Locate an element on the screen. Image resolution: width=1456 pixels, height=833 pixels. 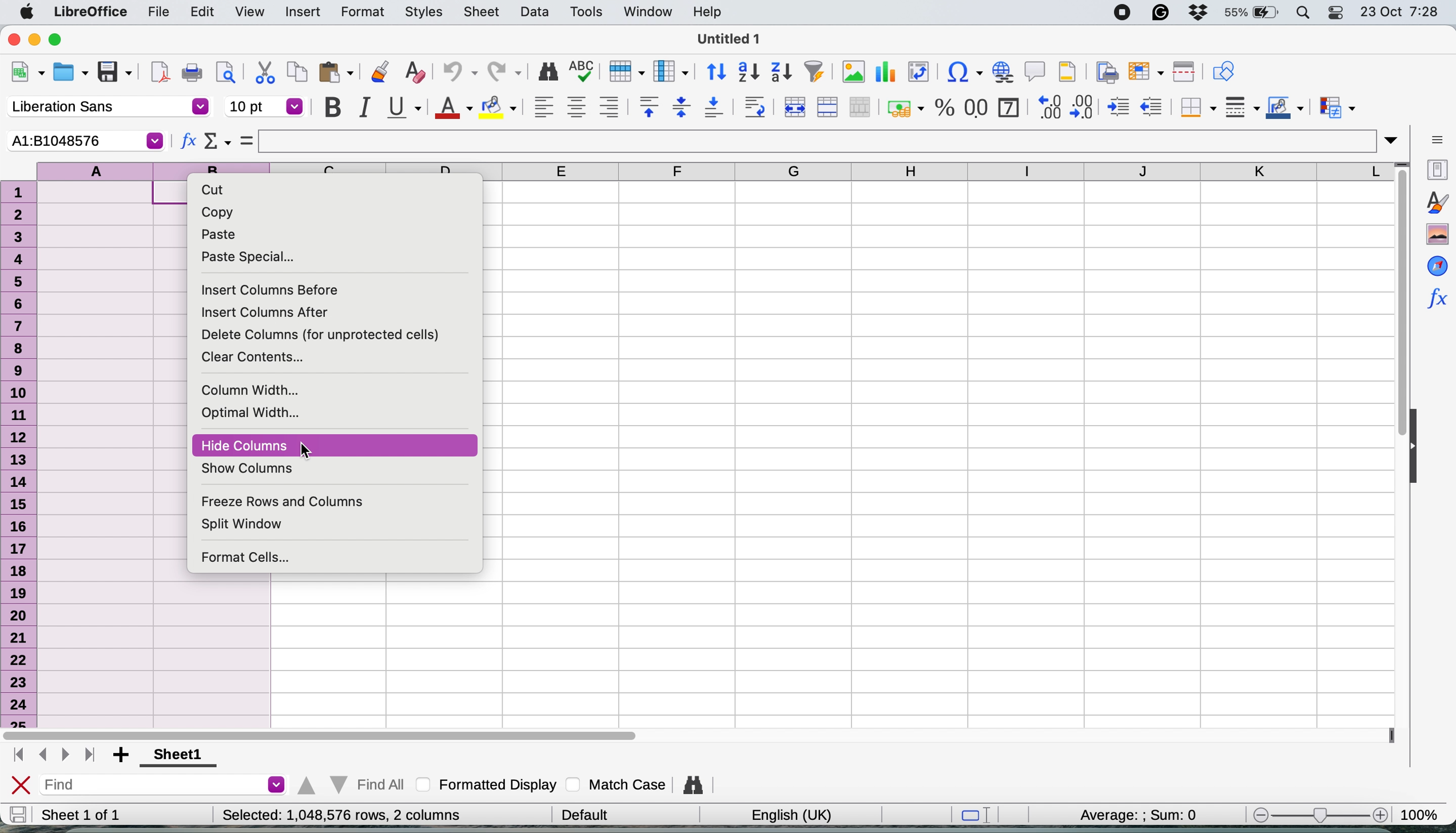
headers and footers is located at coordinates (1069, 72).